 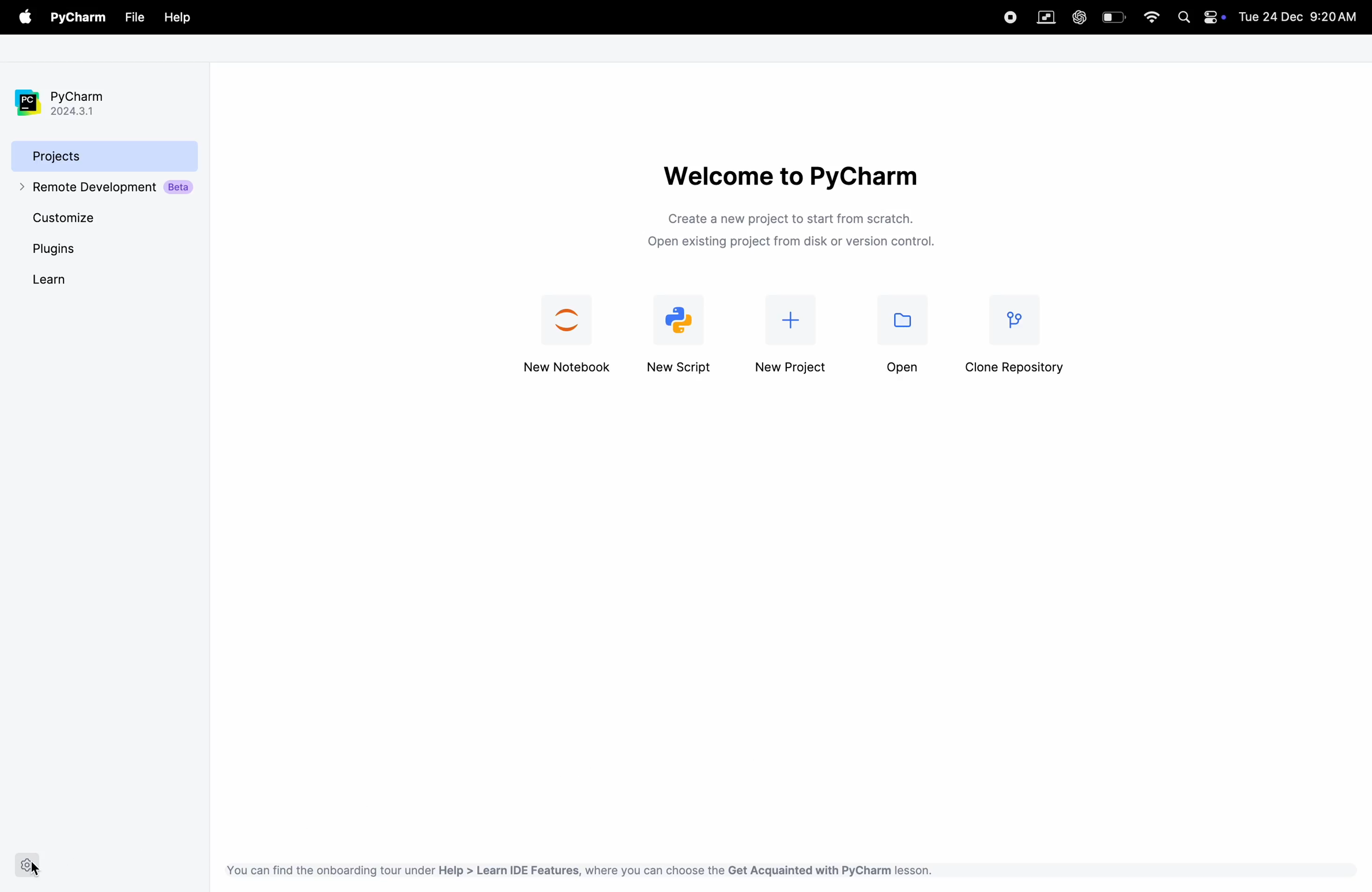 I want to click on vm, so click(x=1046, y=18).